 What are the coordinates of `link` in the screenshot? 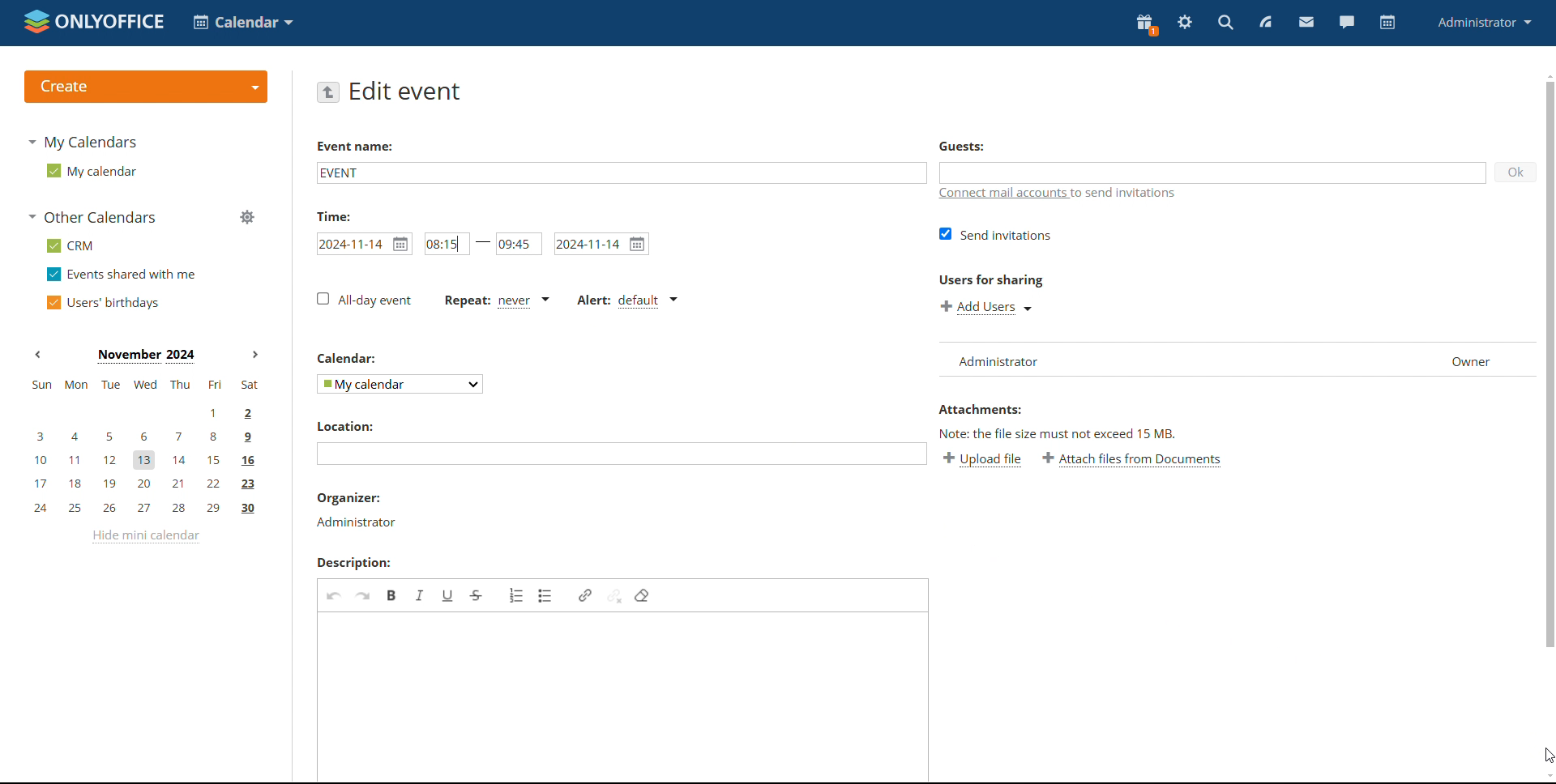 It's located at (584, 595).